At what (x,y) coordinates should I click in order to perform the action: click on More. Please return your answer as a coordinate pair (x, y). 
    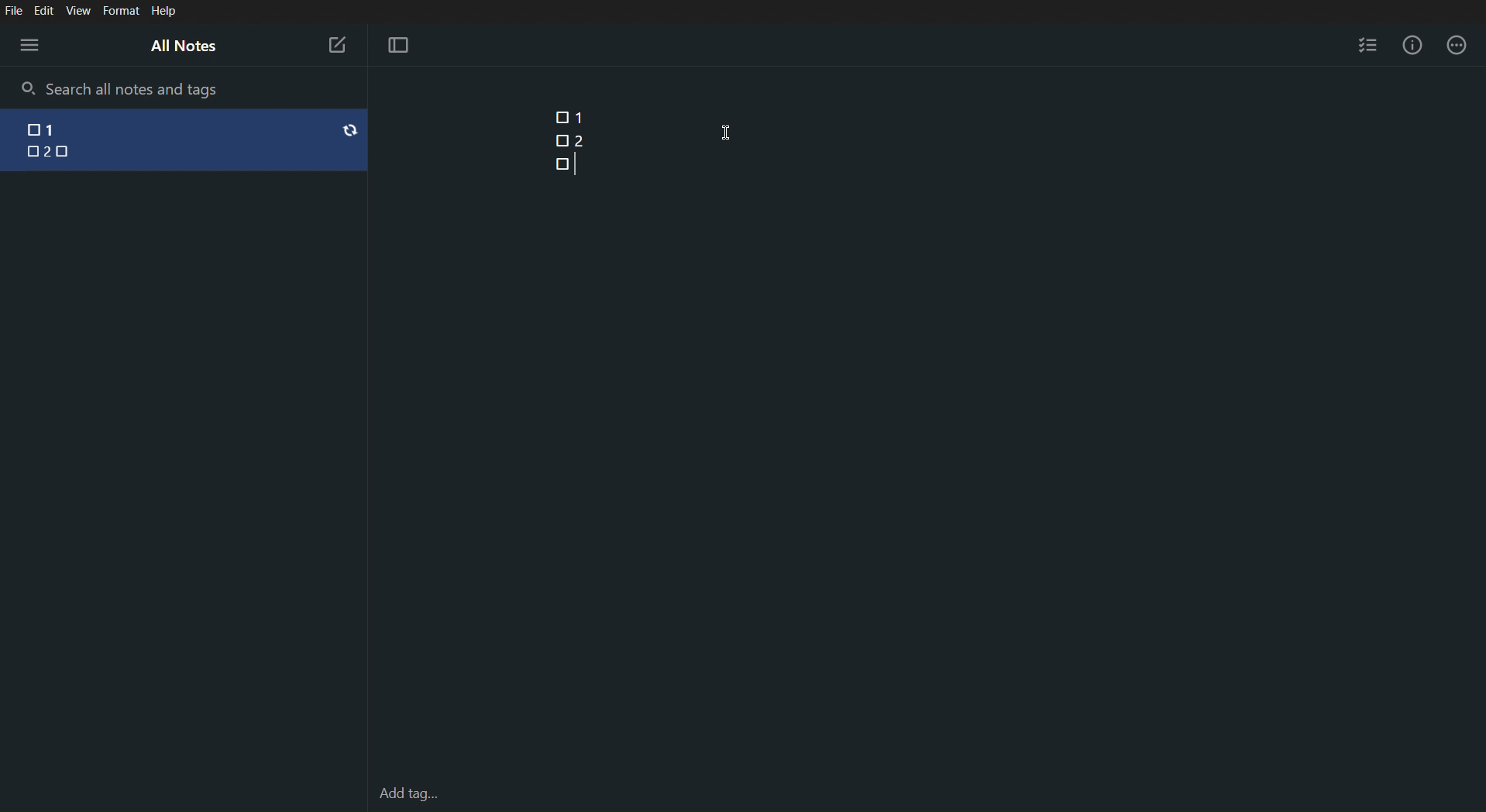
    Looking at the image, I should click on (1457, 45).